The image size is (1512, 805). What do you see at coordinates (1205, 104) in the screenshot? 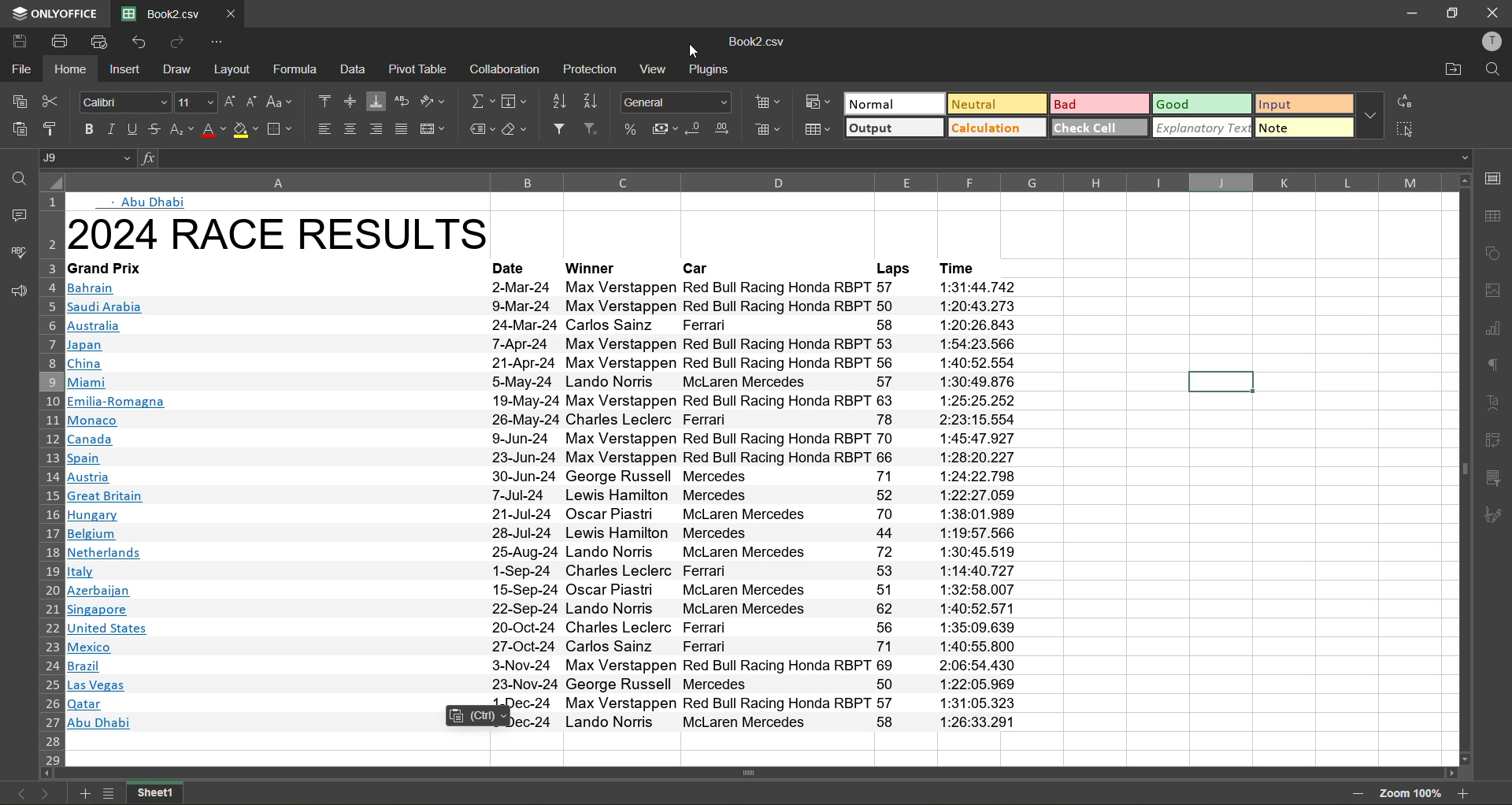
I see `good` at bounding box center [1205, 104].